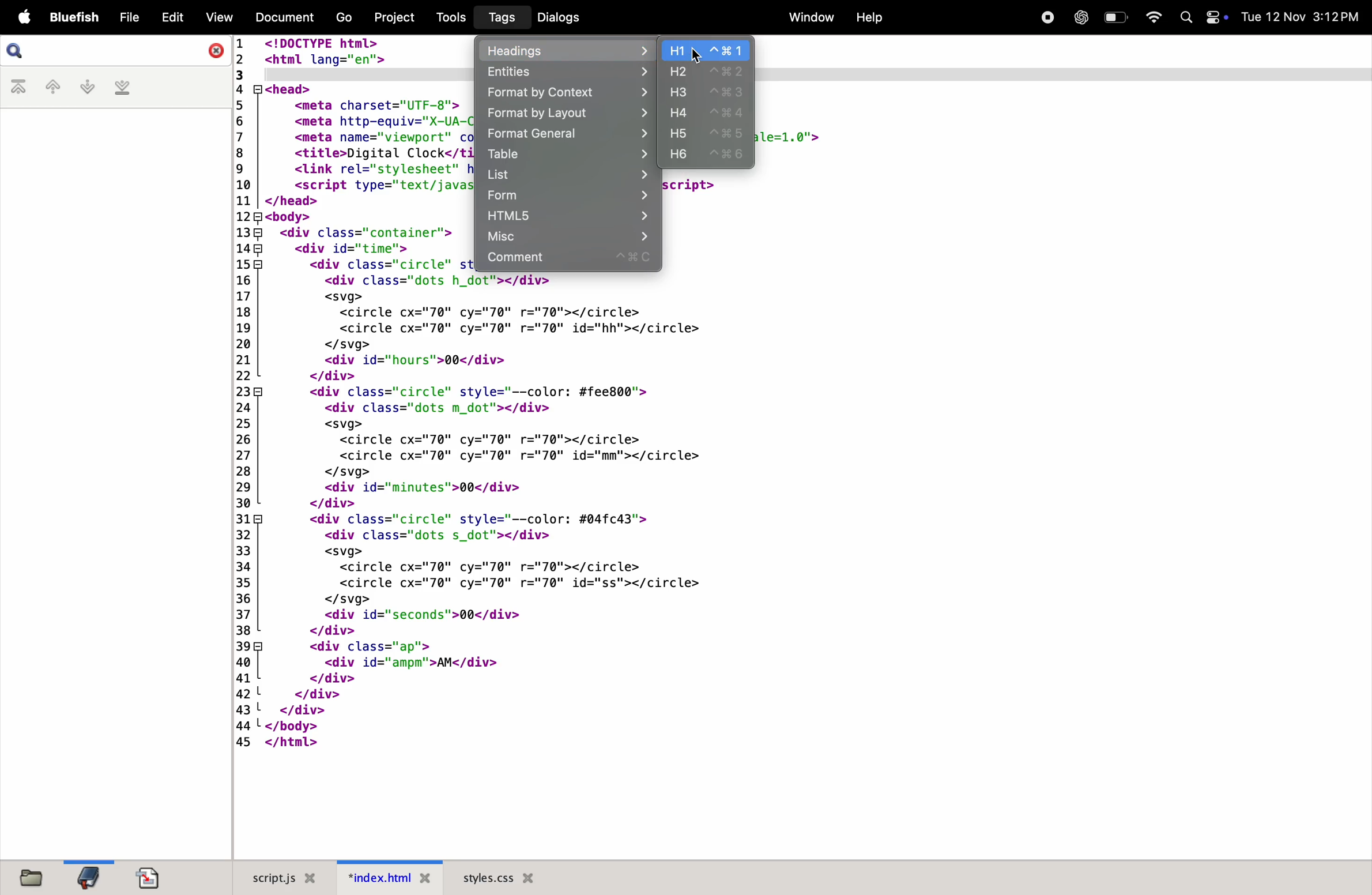  I want to click on document, so click(281, 16).